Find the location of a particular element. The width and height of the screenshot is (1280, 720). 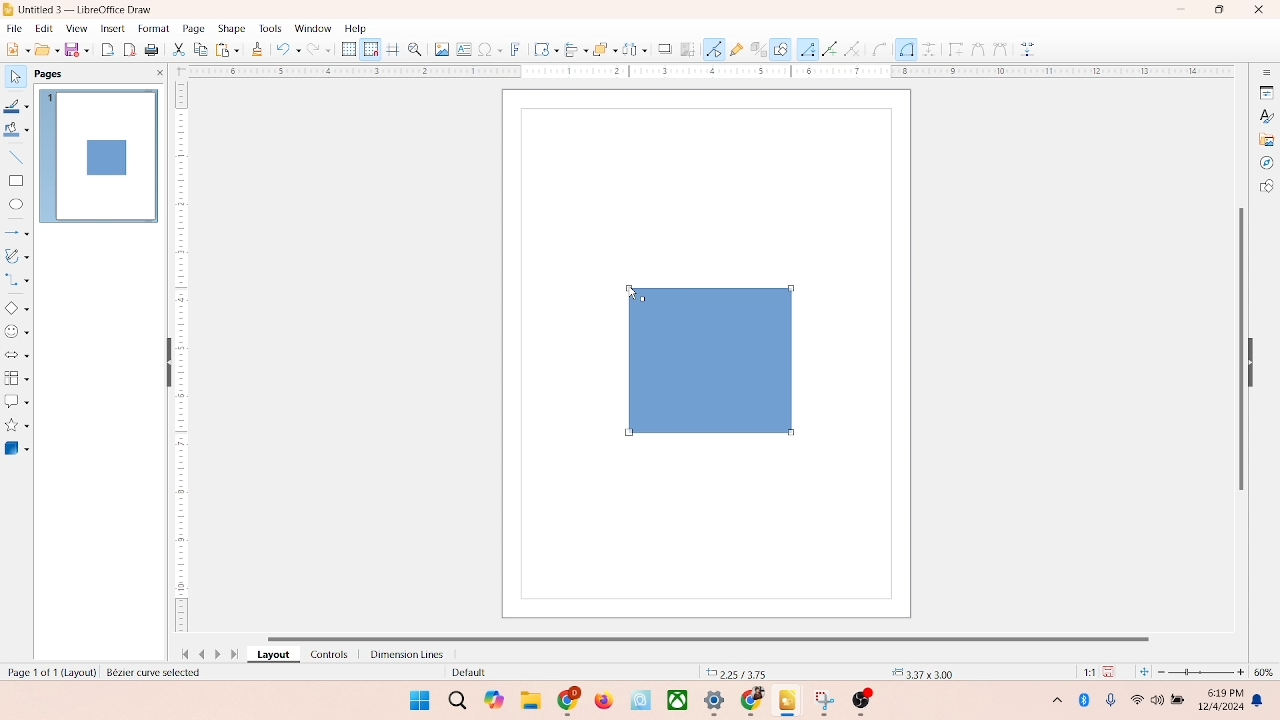

scale bar is located at coordinates (181, 360).